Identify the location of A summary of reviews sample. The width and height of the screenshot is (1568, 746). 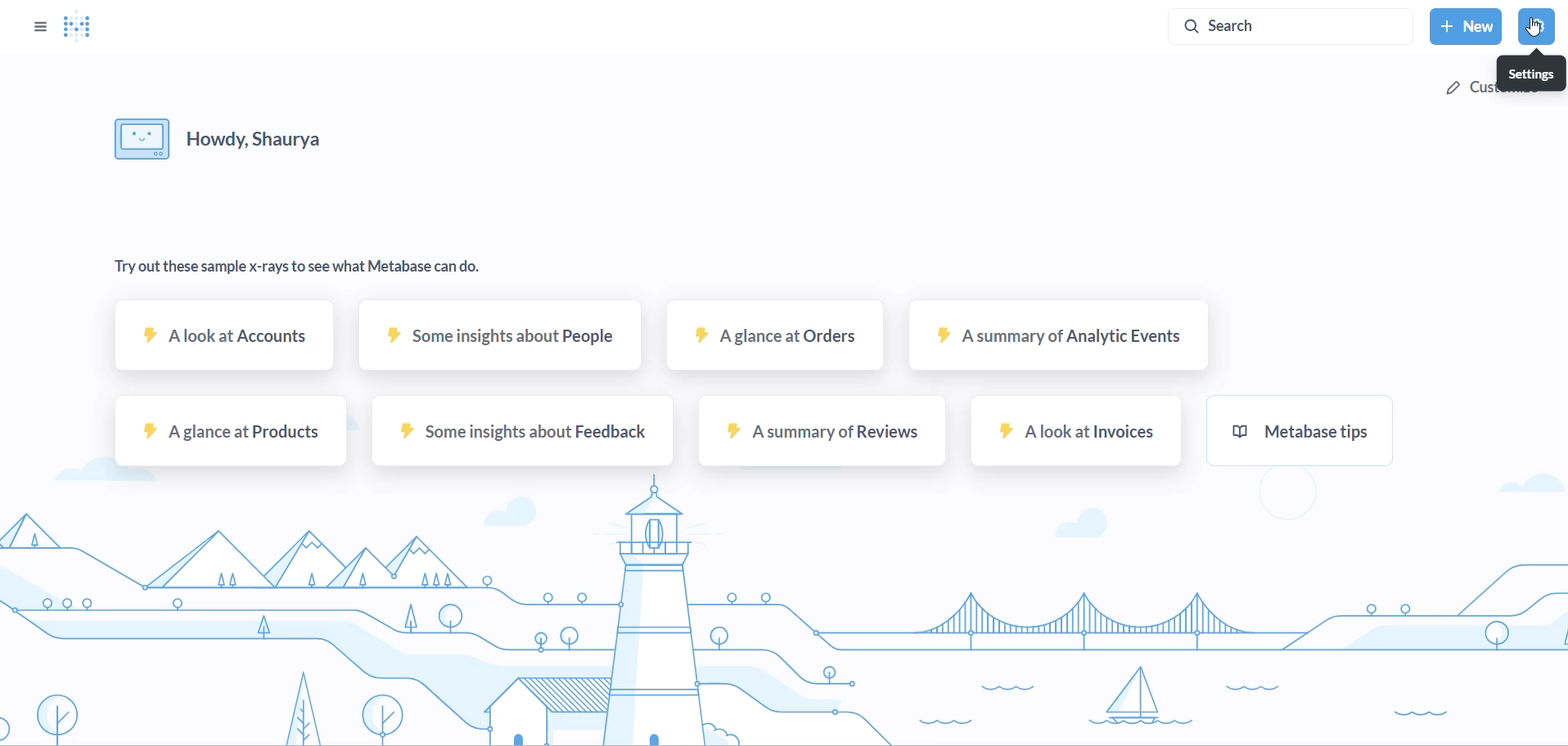
(824, 429).